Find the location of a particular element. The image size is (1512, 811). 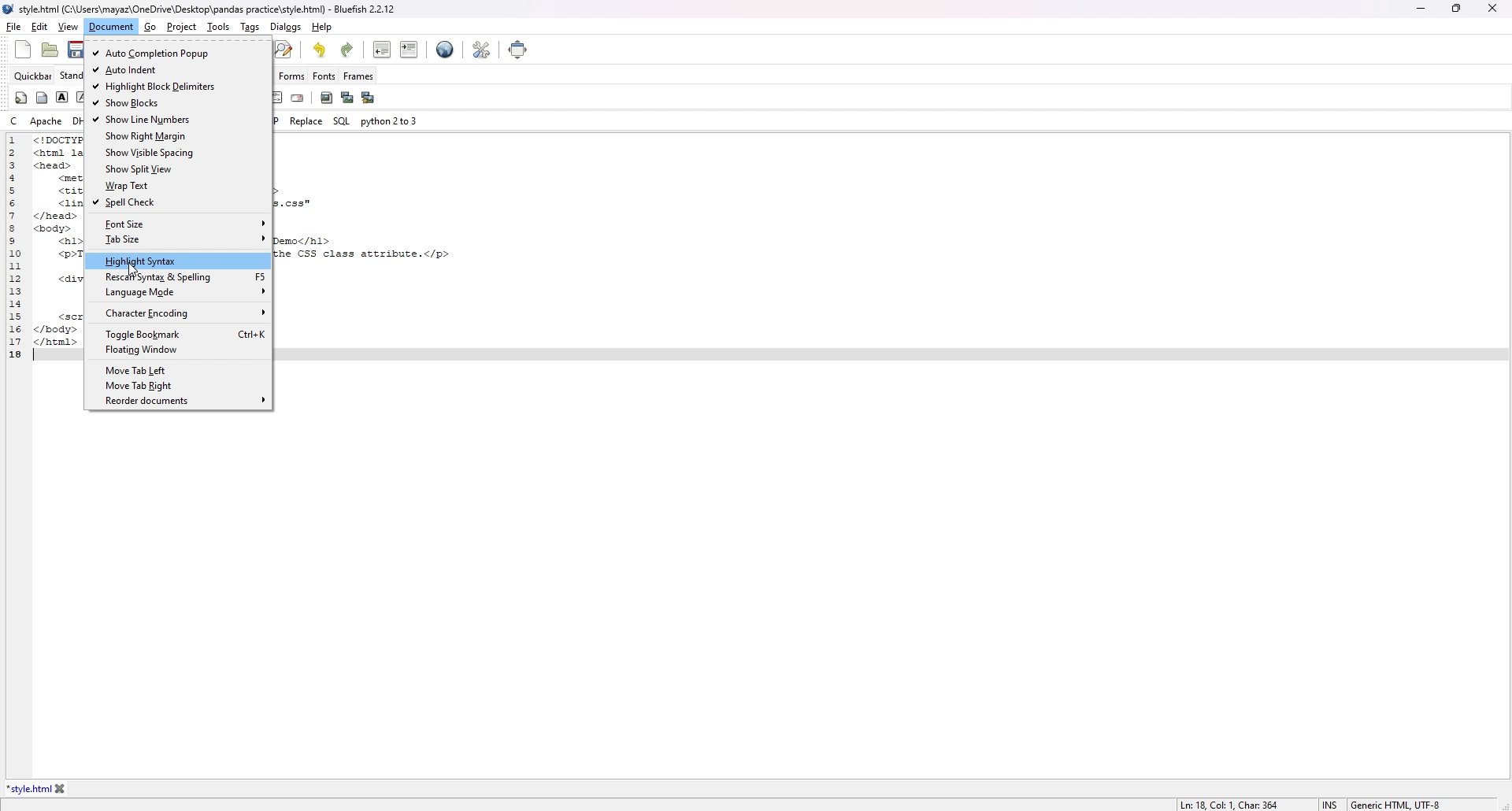

highlight syntax is located at coordinates (179, 261).